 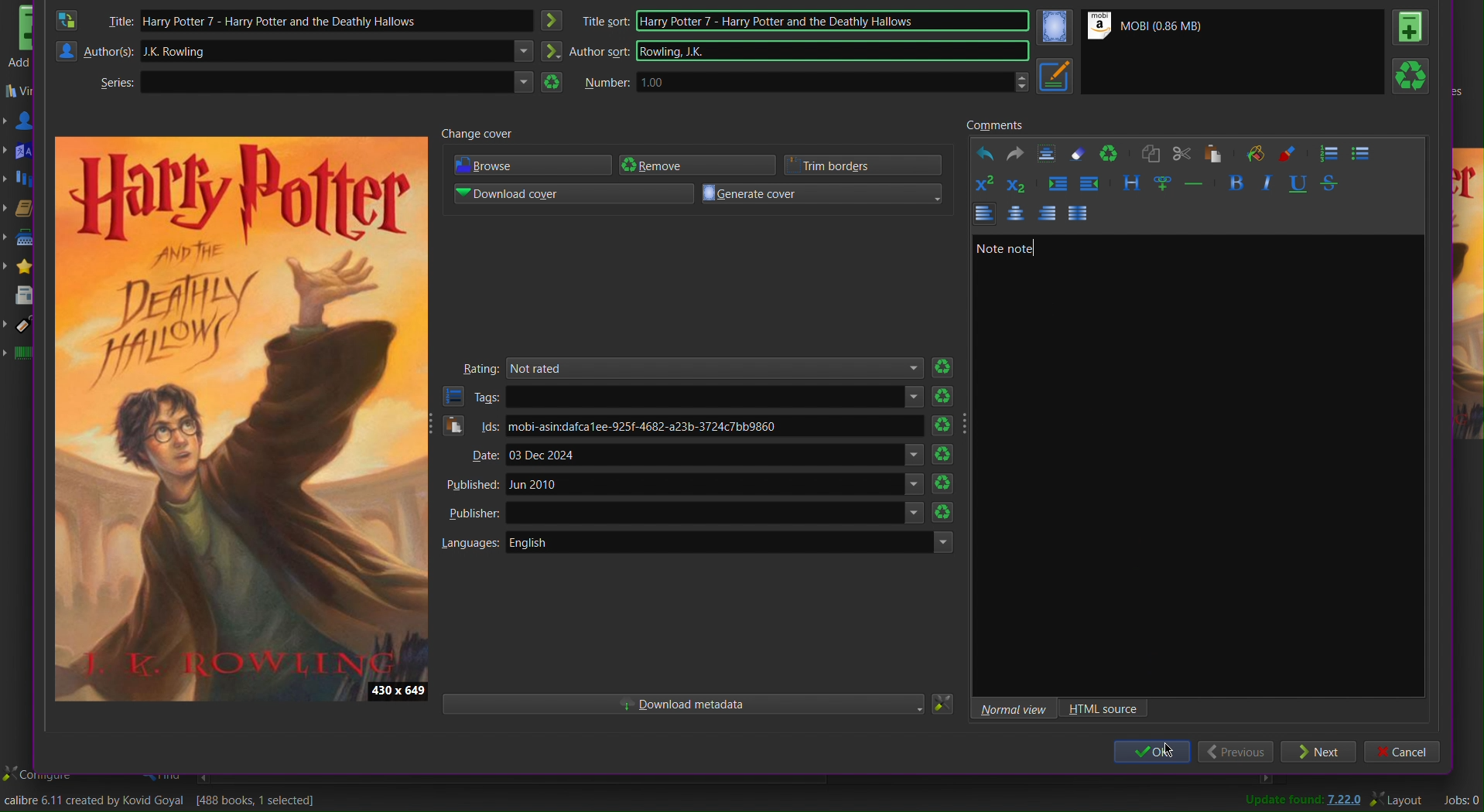 I want to click on text areas, so click(x=716, y=397).